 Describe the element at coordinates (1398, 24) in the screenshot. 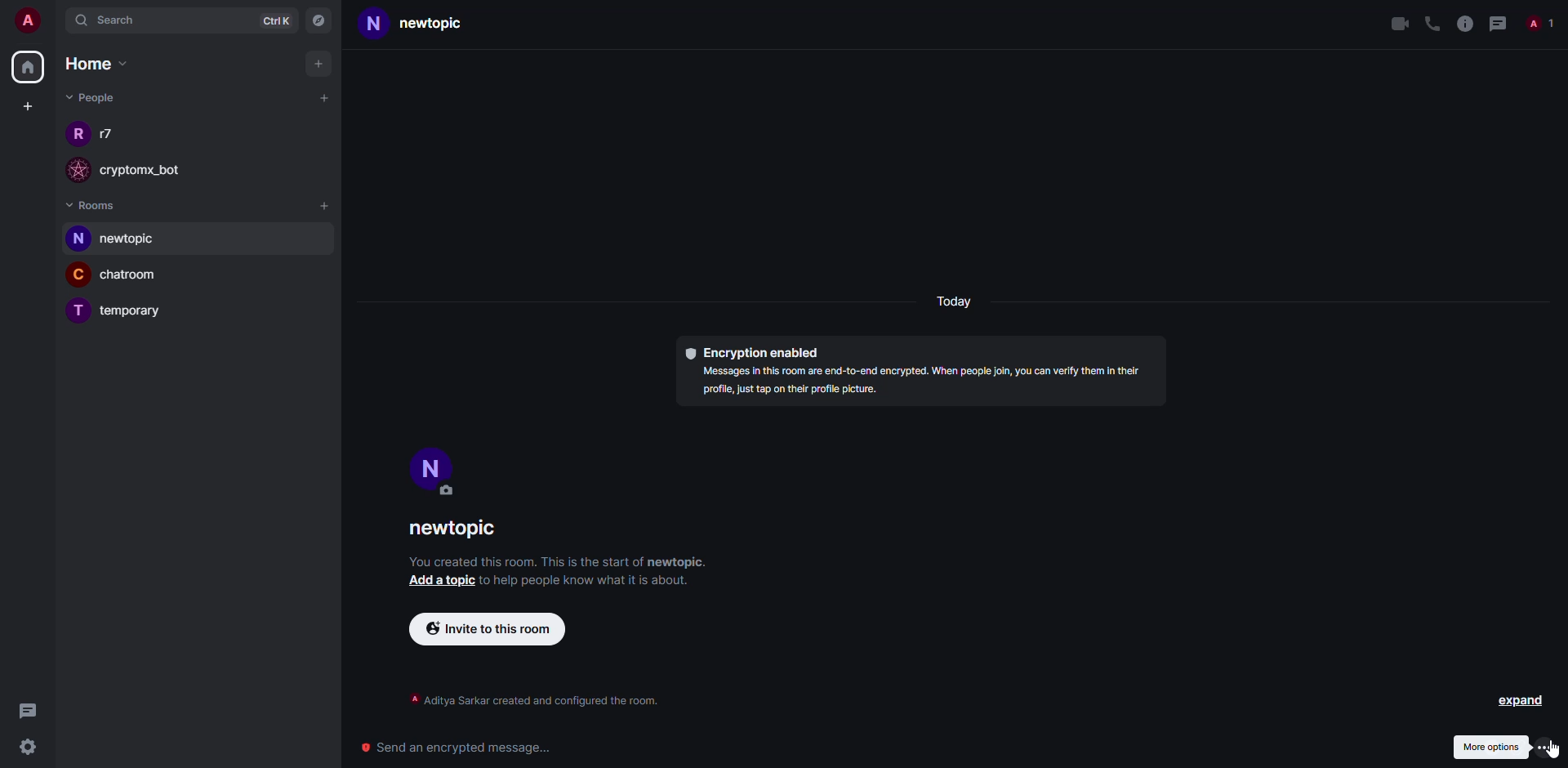

I see `video call` at that location.